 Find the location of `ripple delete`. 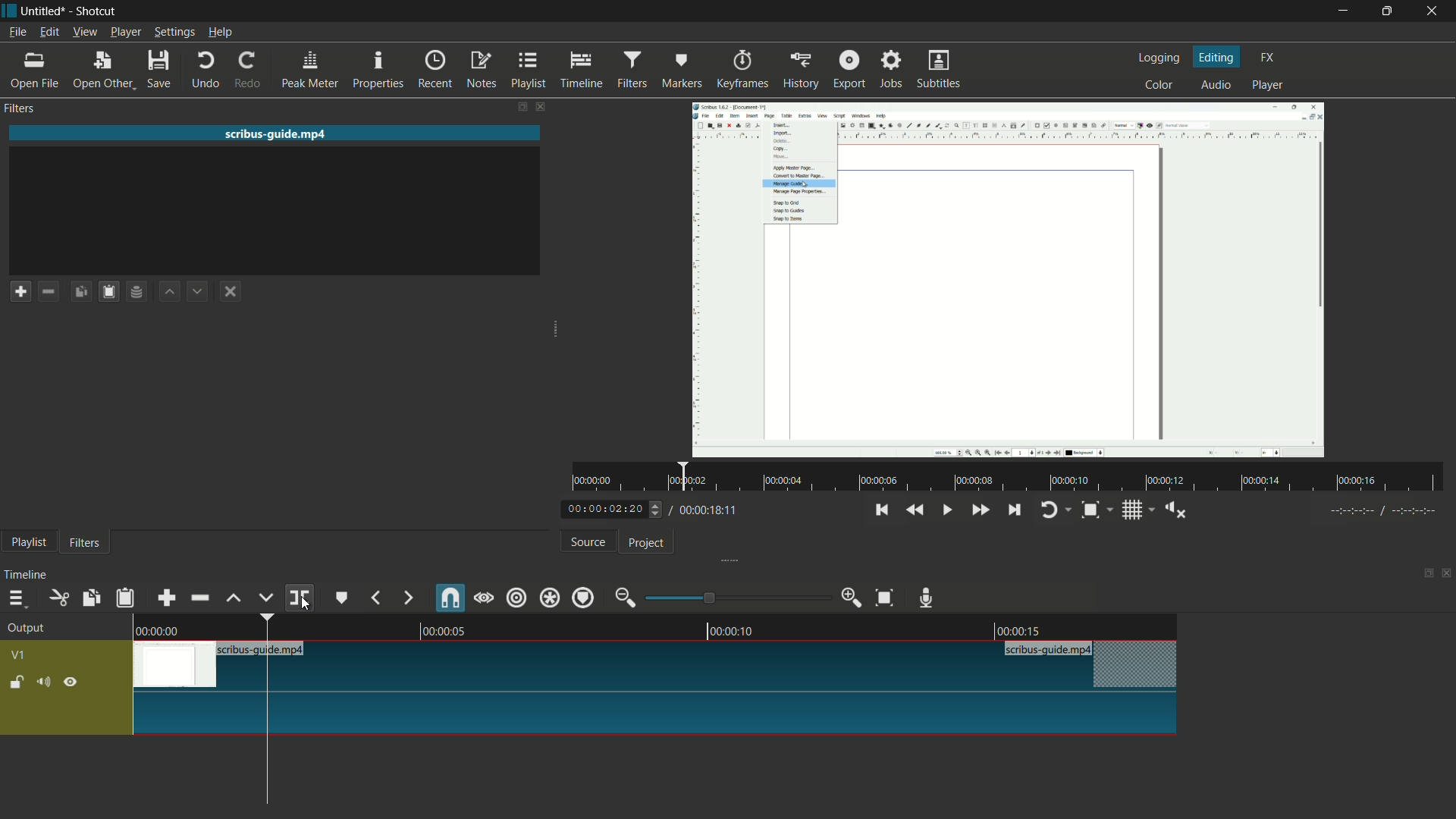

ripple delete is located at coordinates (199, 598).